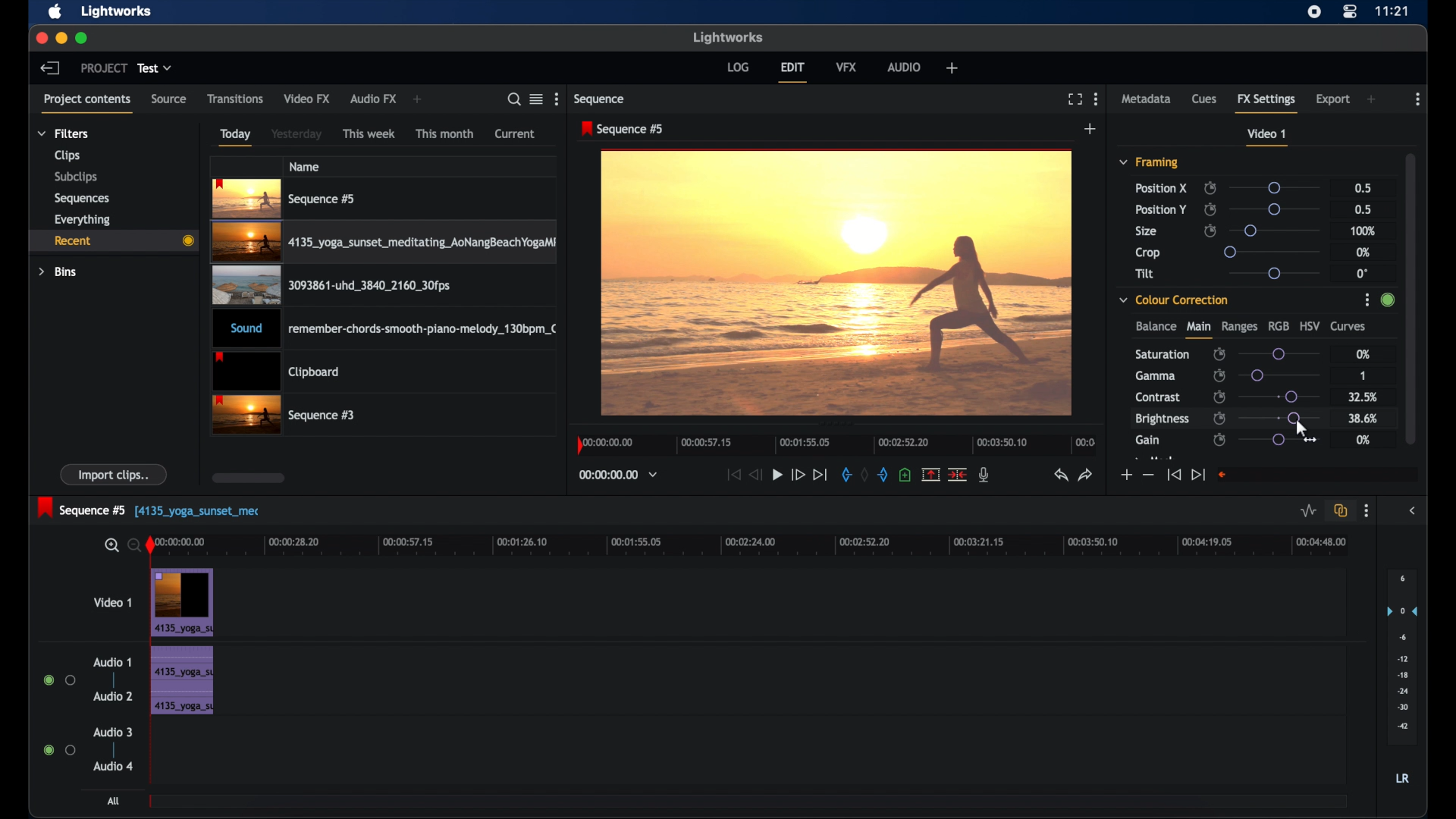 The image size is (1456, 819). I want to click on size, so click(1147, 231).